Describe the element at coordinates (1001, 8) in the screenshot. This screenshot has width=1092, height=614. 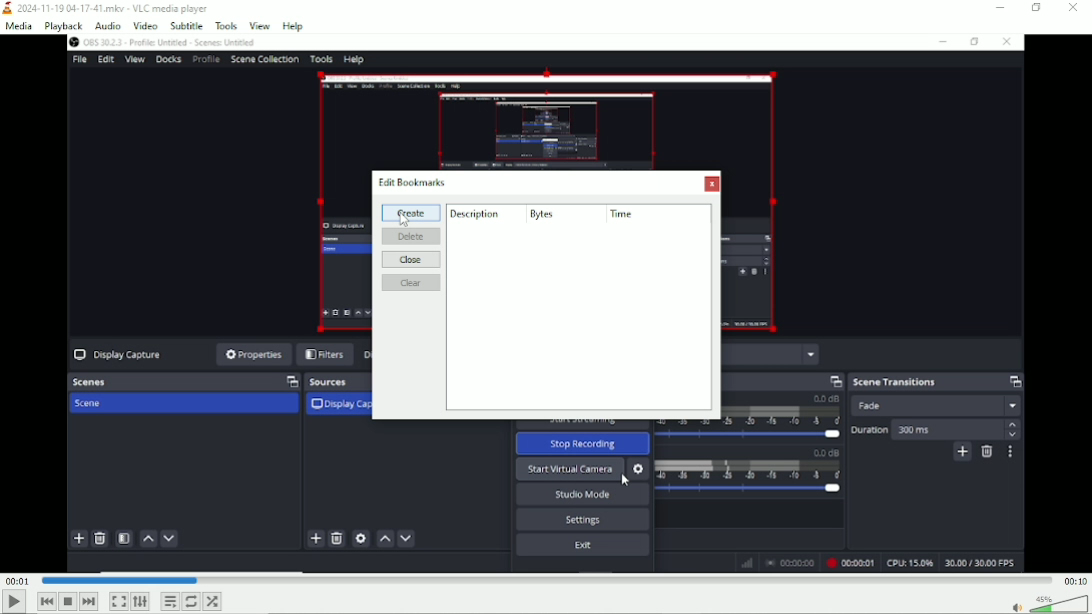
I see `Minimize` at that location.